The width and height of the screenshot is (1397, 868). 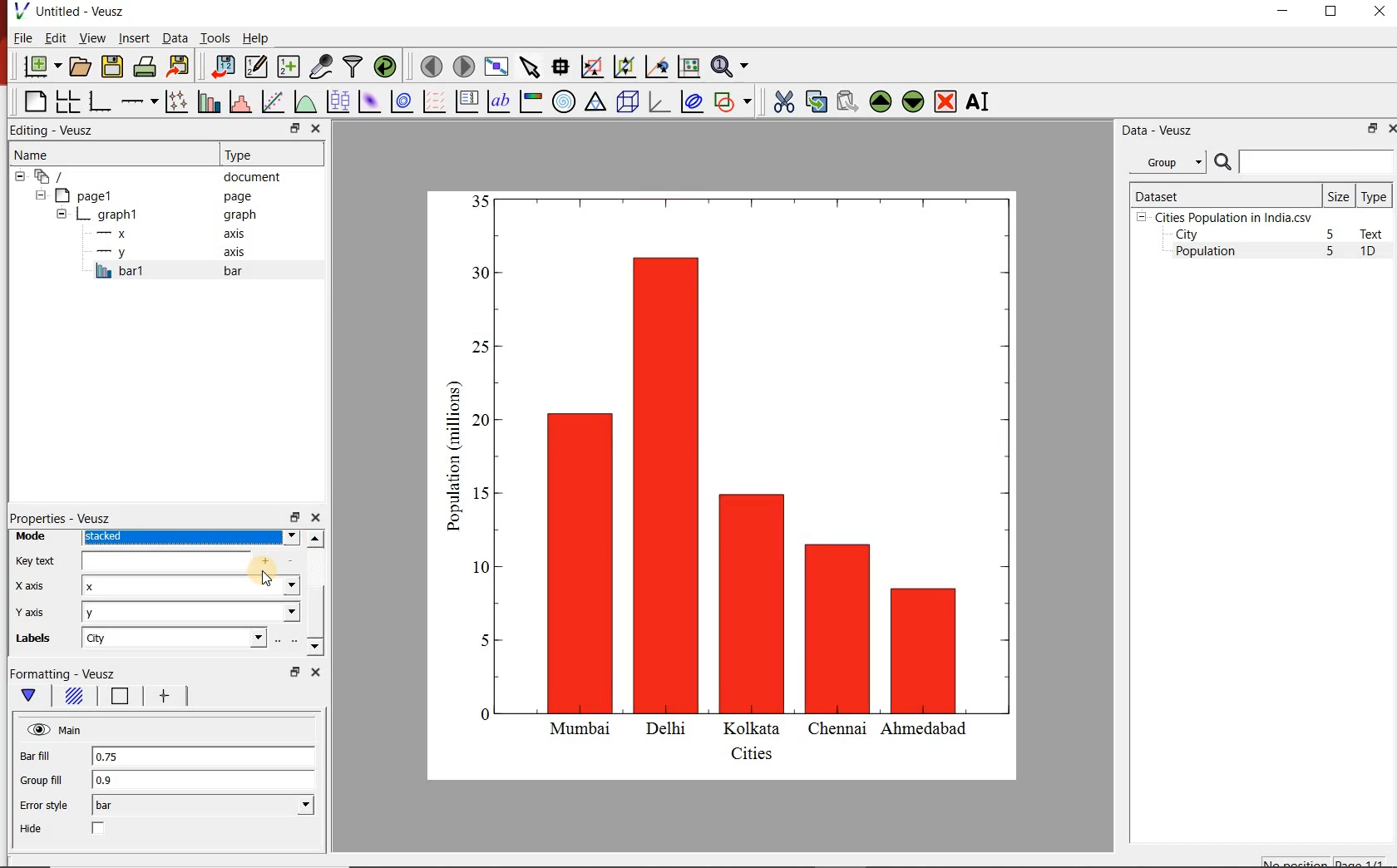 I want to click on y axis, so click(x=41, y=612).